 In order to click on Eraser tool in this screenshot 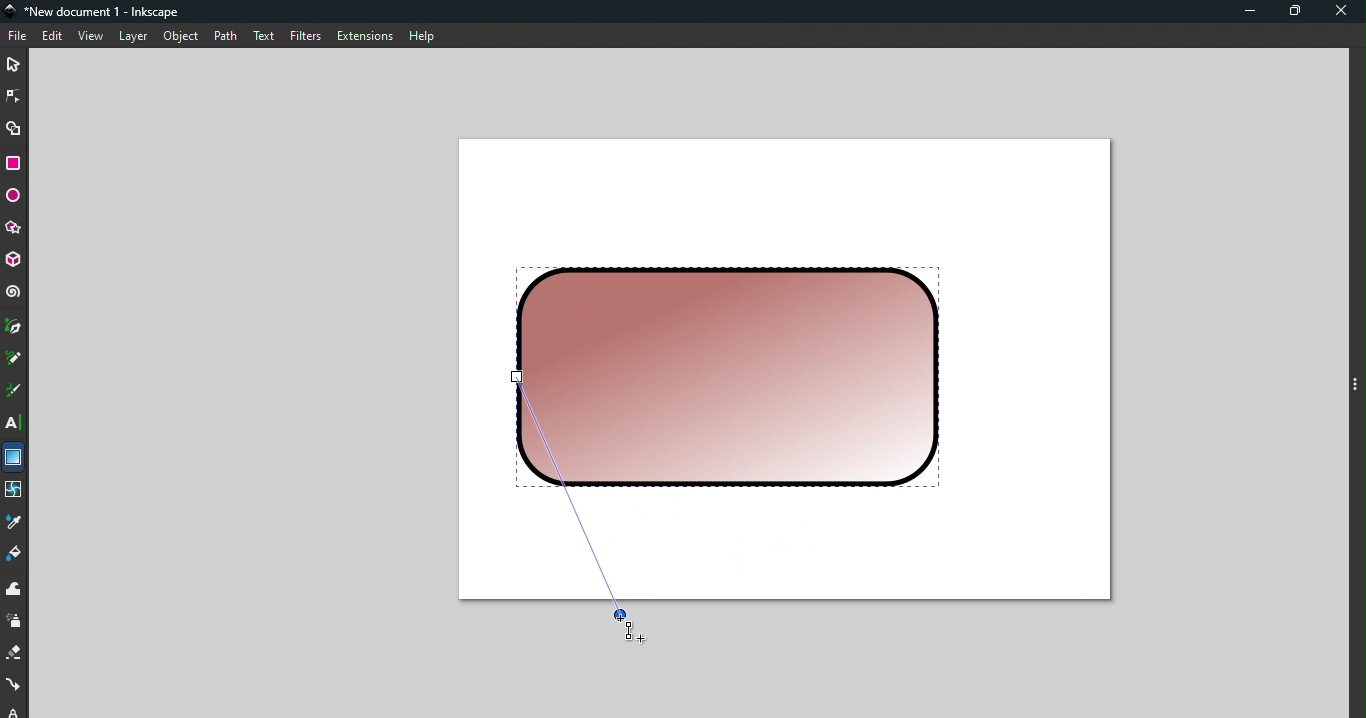, I will do `click(15, 654)`.